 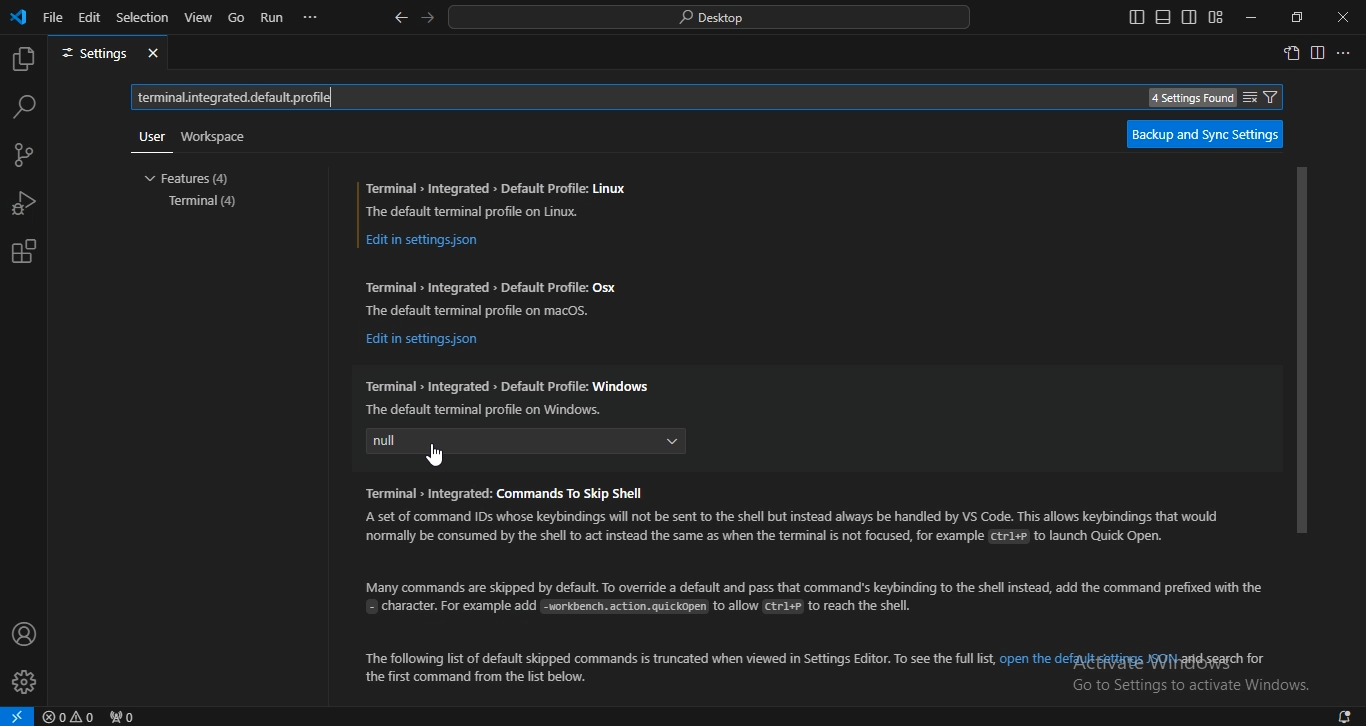 I want to click on file, so click(x=54, y=21).